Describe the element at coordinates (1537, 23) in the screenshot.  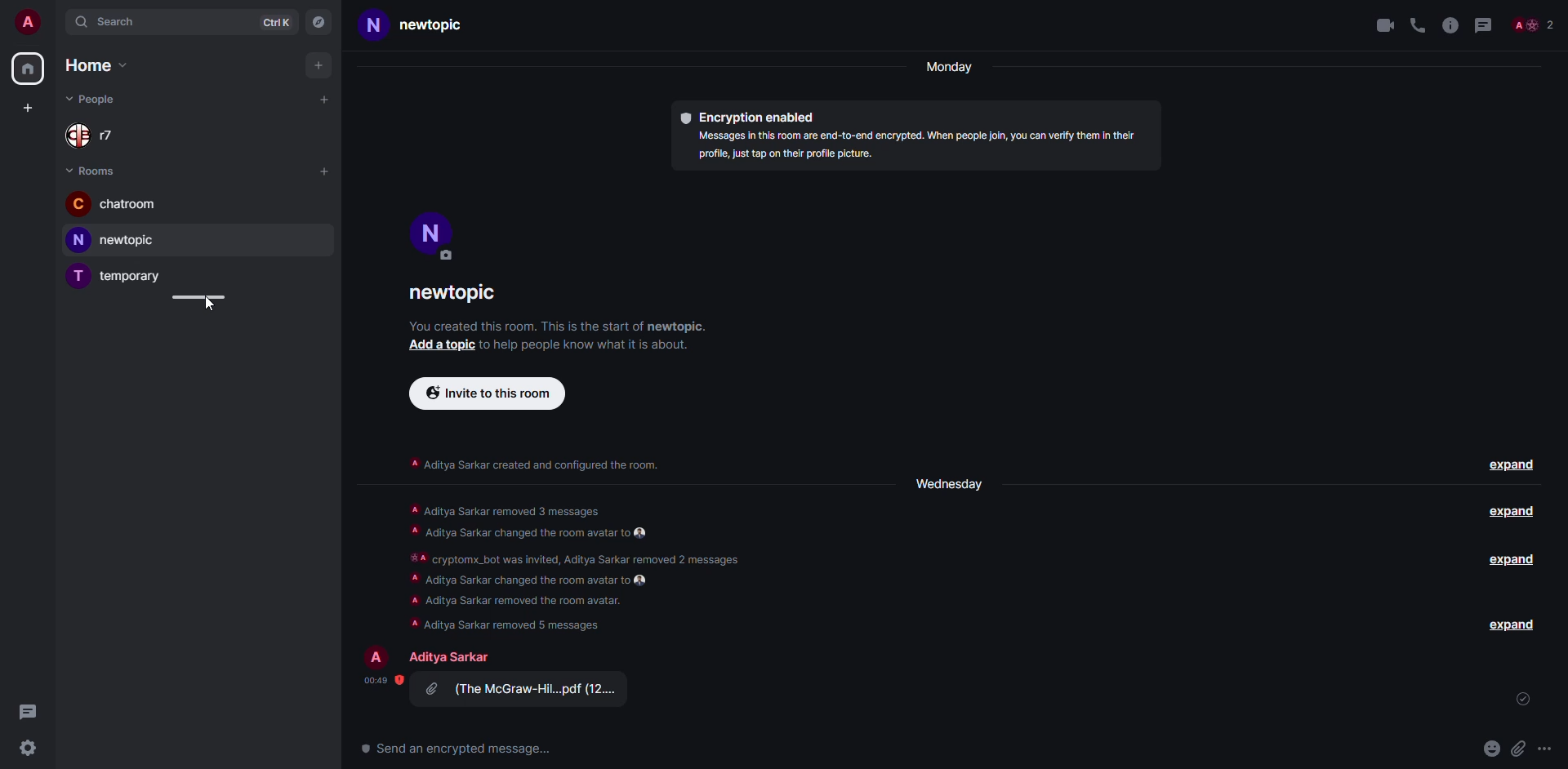
I see `people` at that location.